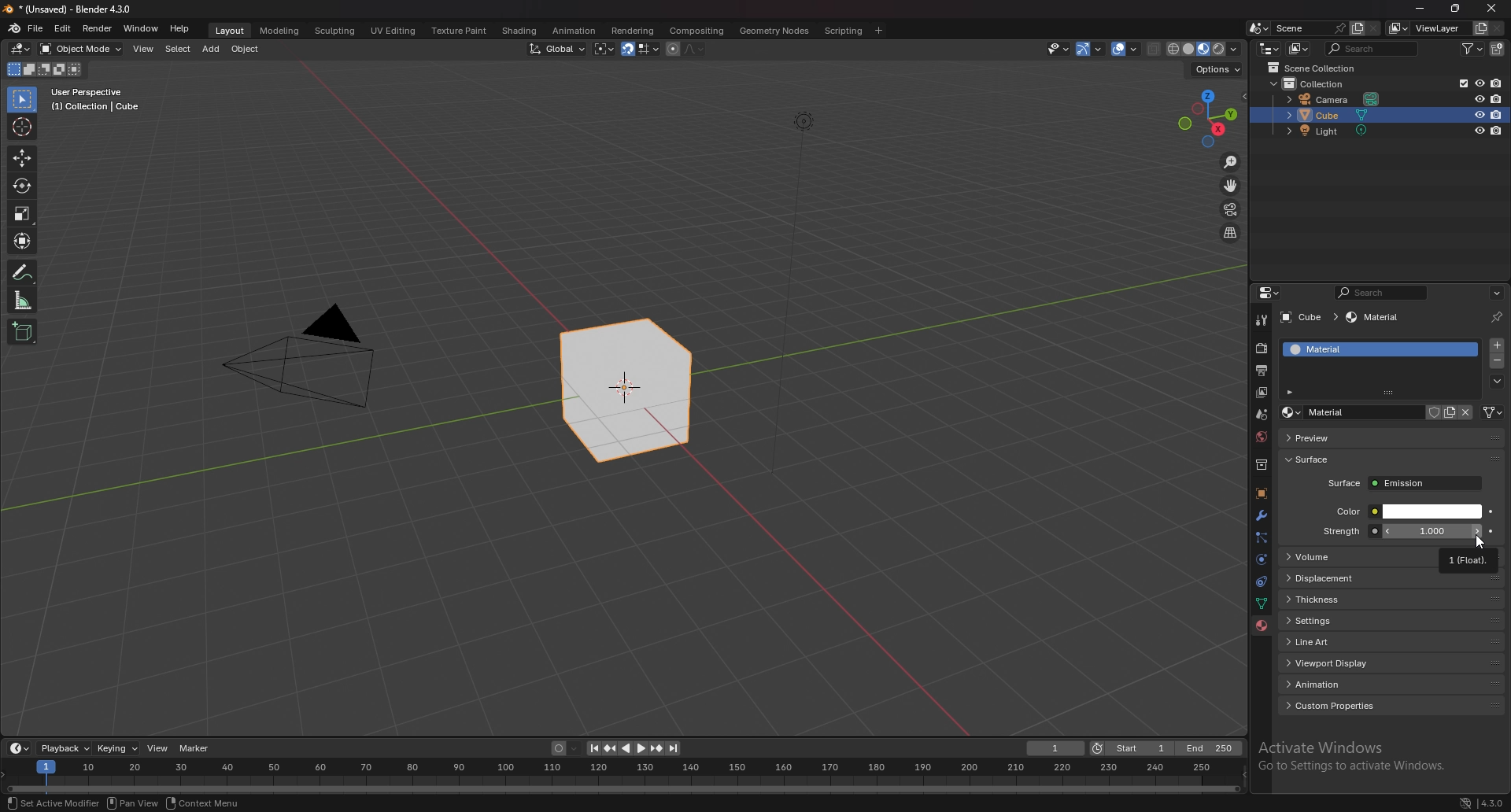 This screenshot has height=812, width=1511. What do you see at coordinates (671, 49) in the screenshot?
I see `proportional editing objects` at bounding box center [671, 49].